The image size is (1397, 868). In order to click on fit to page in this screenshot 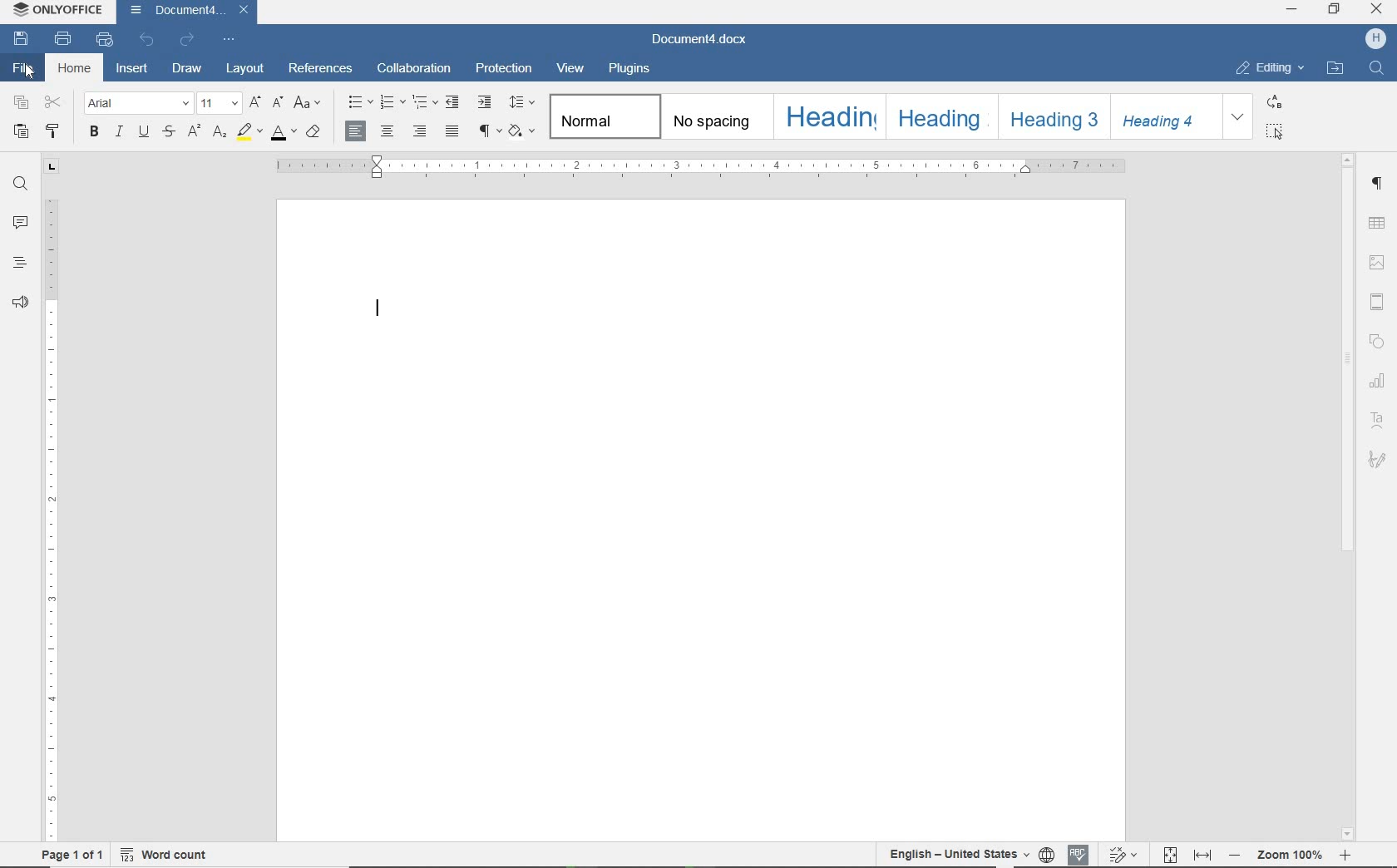, I will do `click(1169, 856)`.